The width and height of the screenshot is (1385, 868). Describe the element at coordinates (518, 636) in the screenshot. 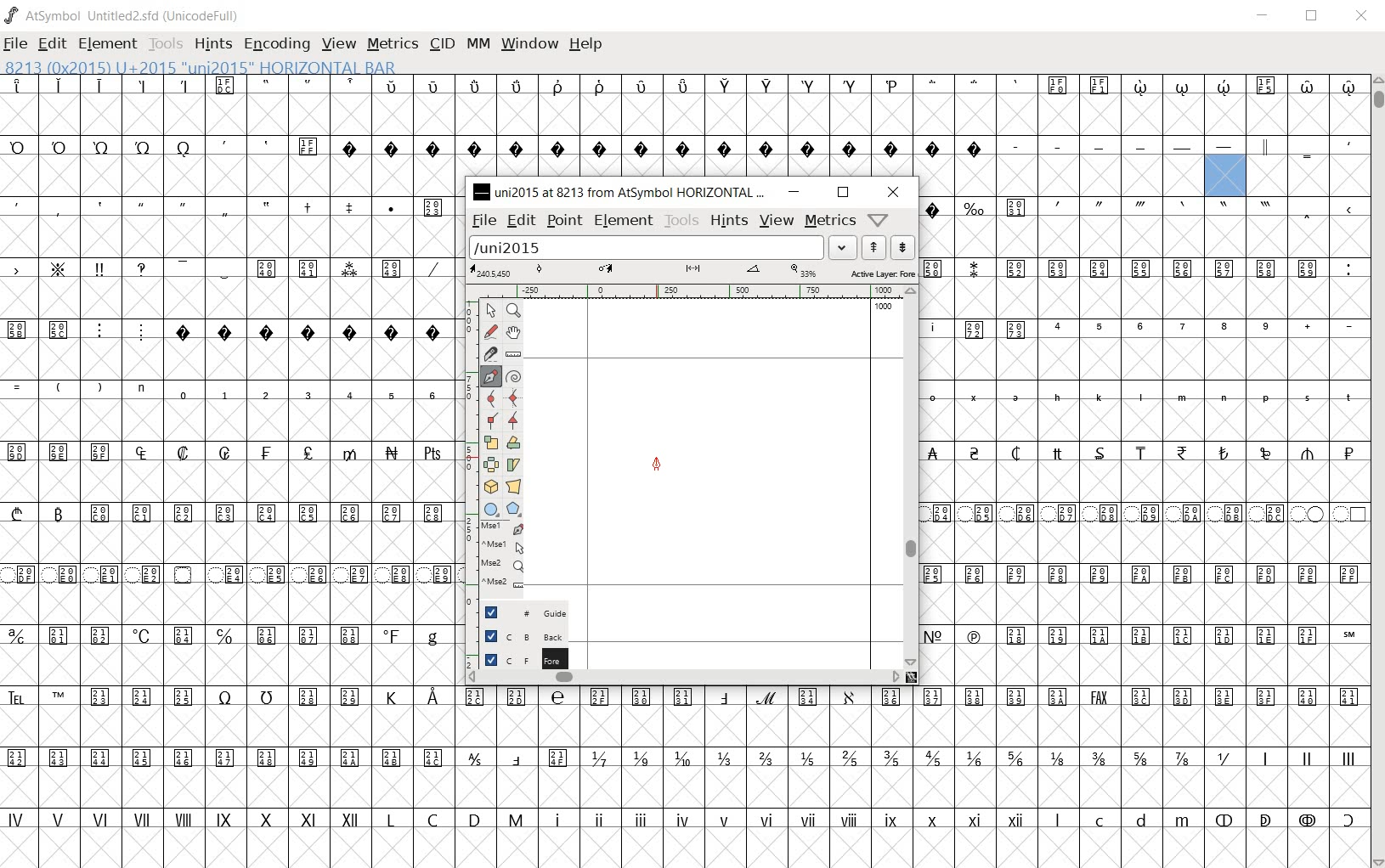

I see `Background` at that location.